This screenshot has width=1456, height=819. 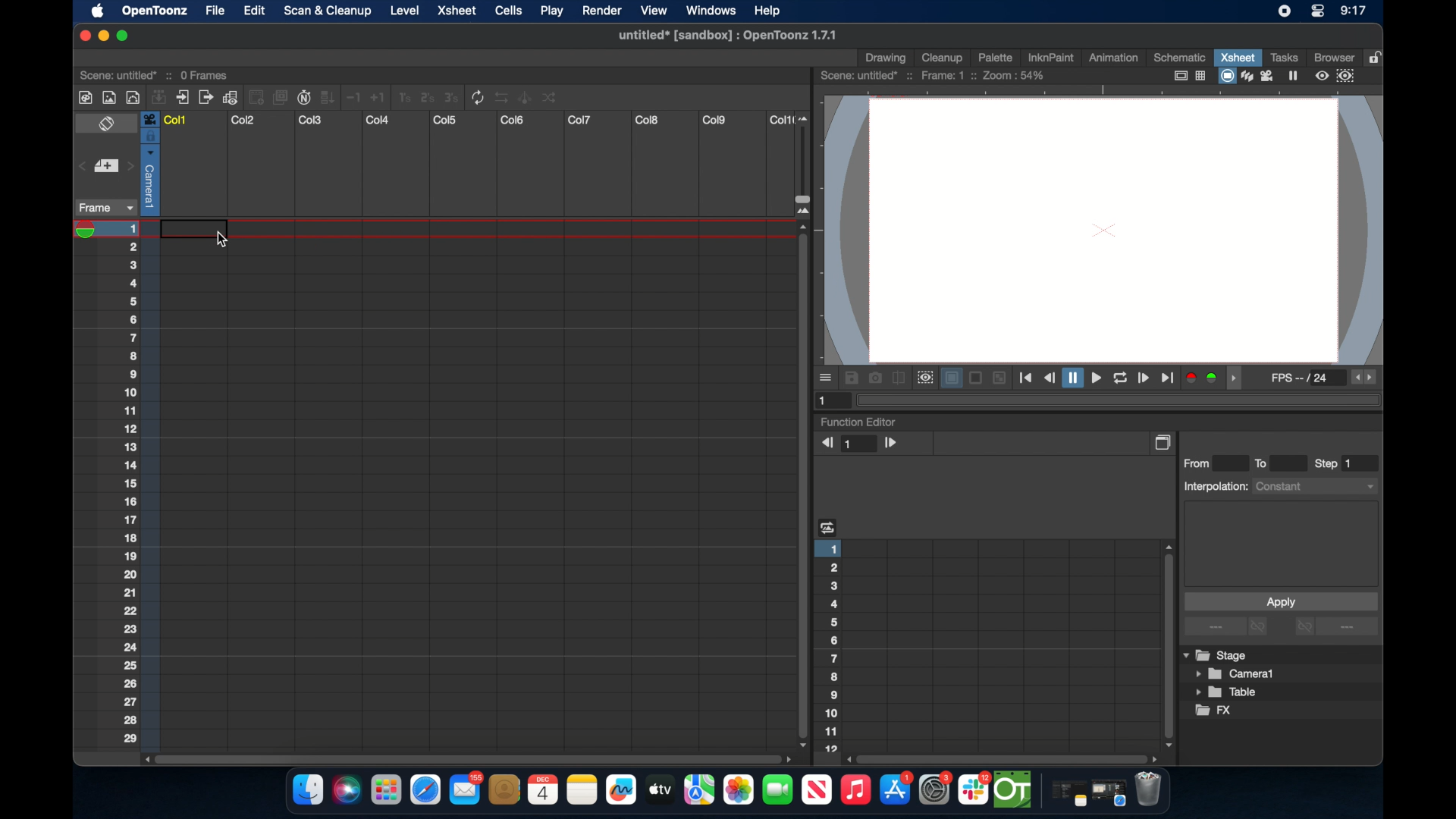 I want to click on highlighted cell, so click(x=177, y=232).